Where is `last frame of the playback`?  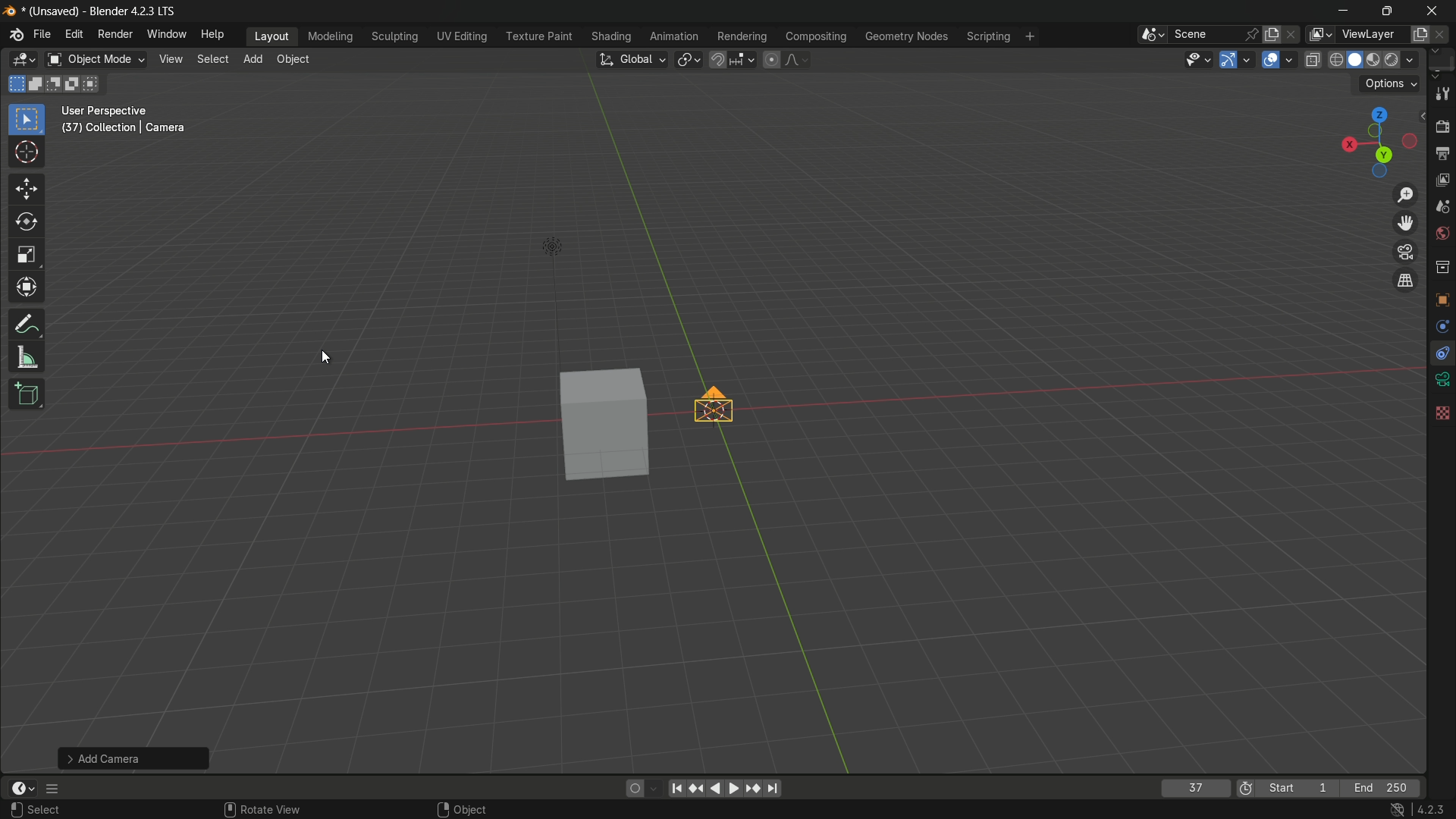
last frame of the playback is located at coordinates (1385, 789).